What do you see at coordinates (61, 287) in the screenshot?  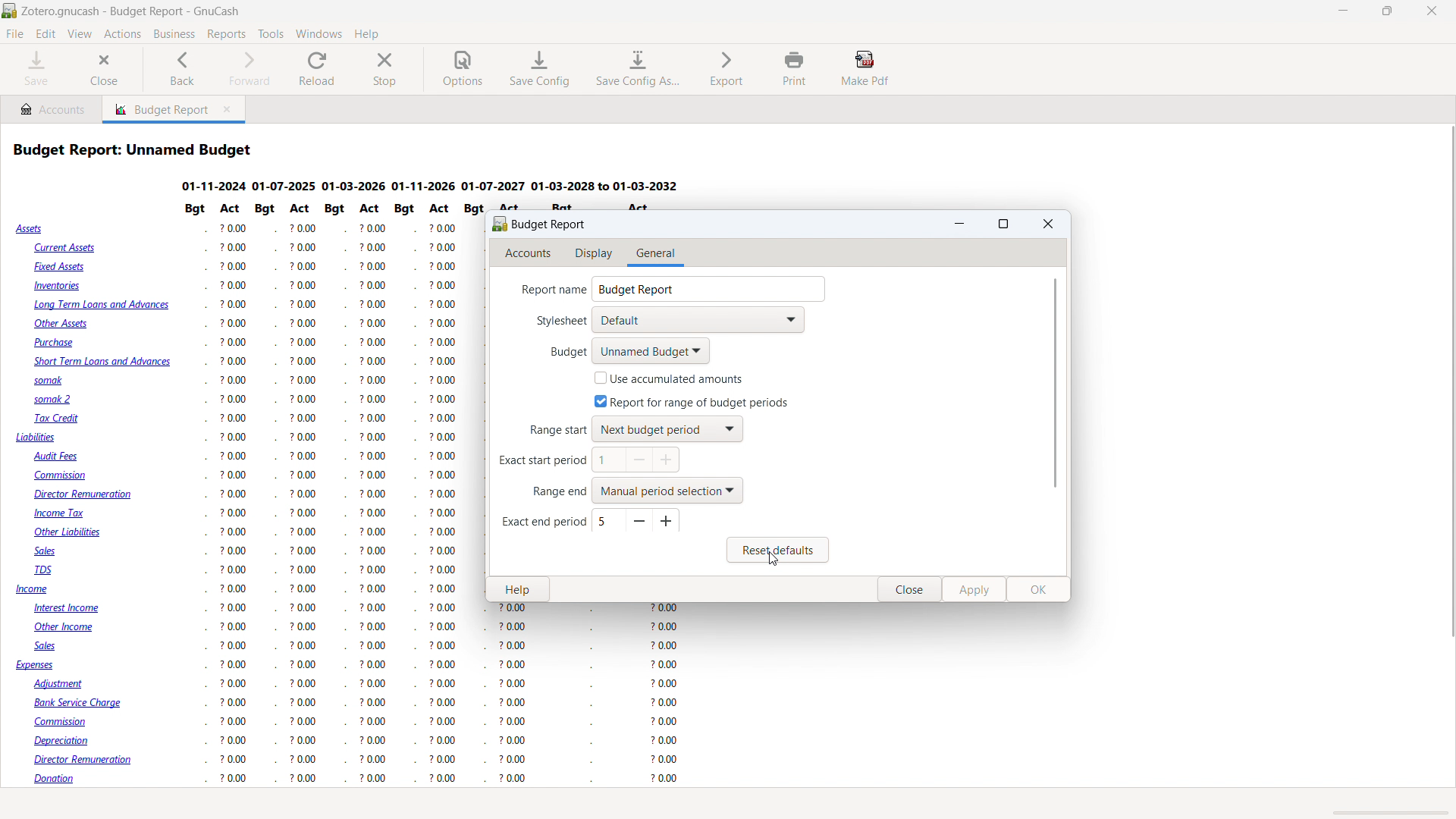 I see `Inventories` at bounding box center [61, 287].